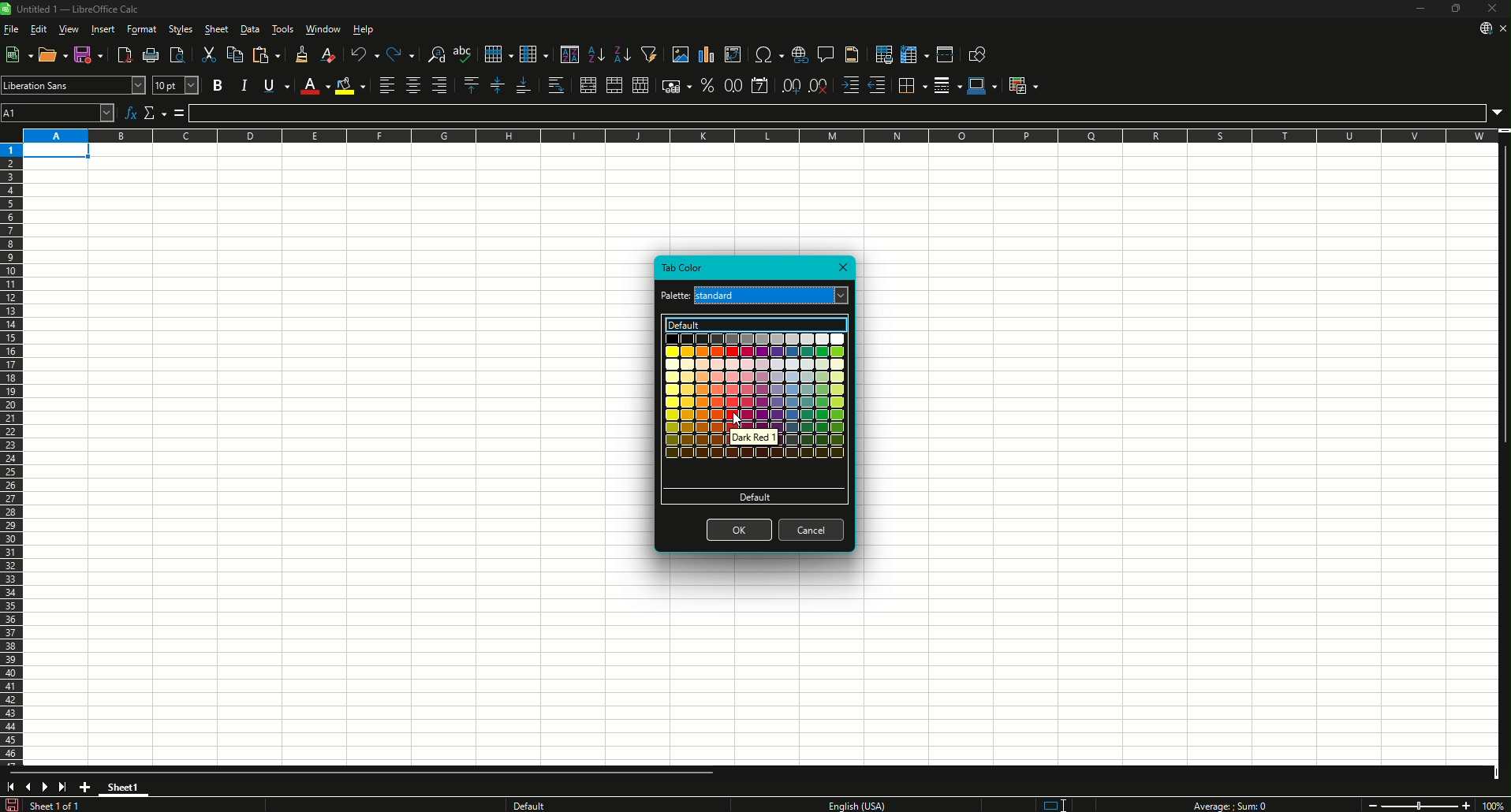  I want to click on Split Window, so click(946, 54).